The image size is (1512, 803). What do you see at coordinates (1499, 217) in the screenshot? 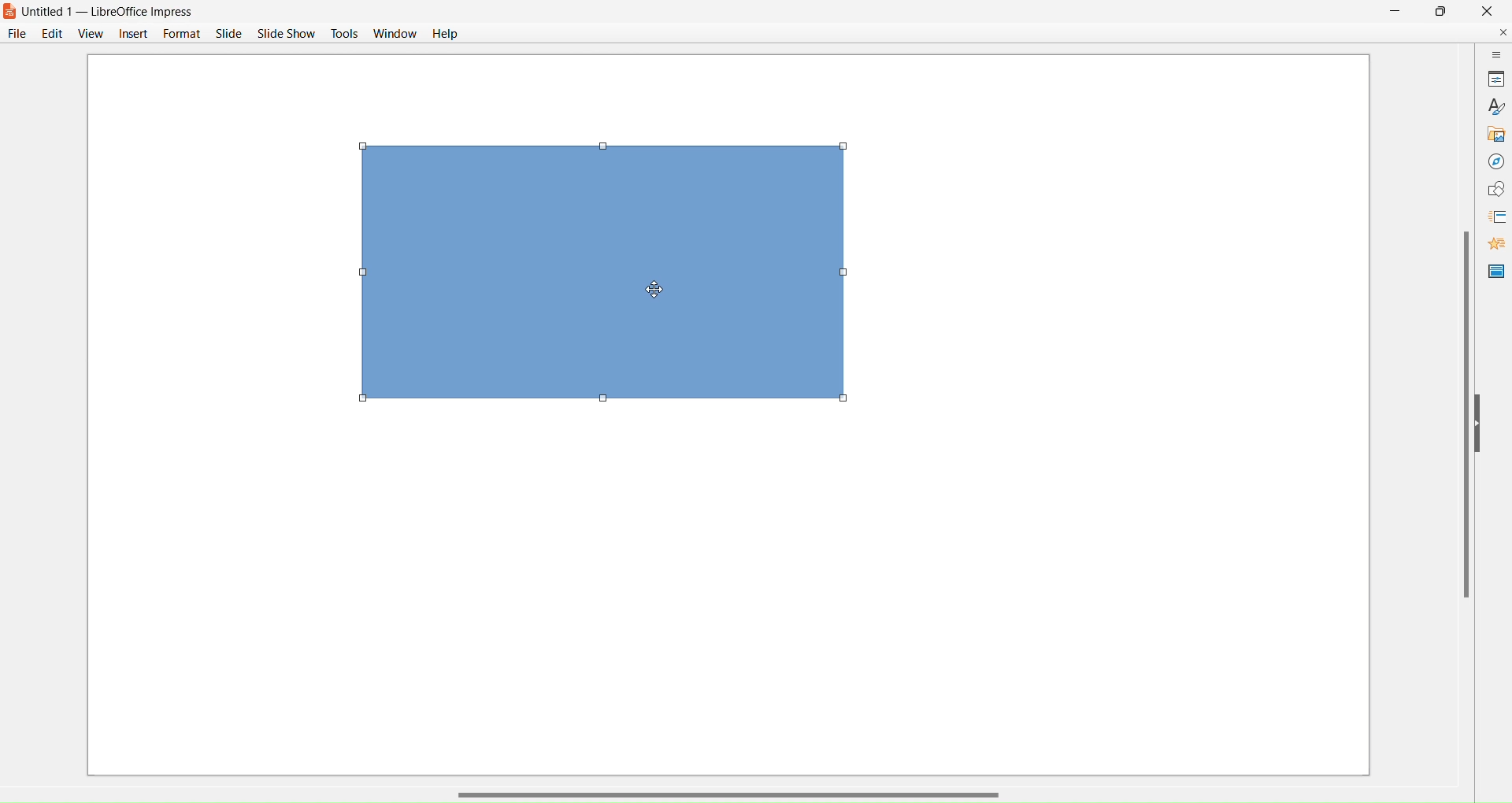
I see `Slide Transitions` at bounding box center [1499, 217].